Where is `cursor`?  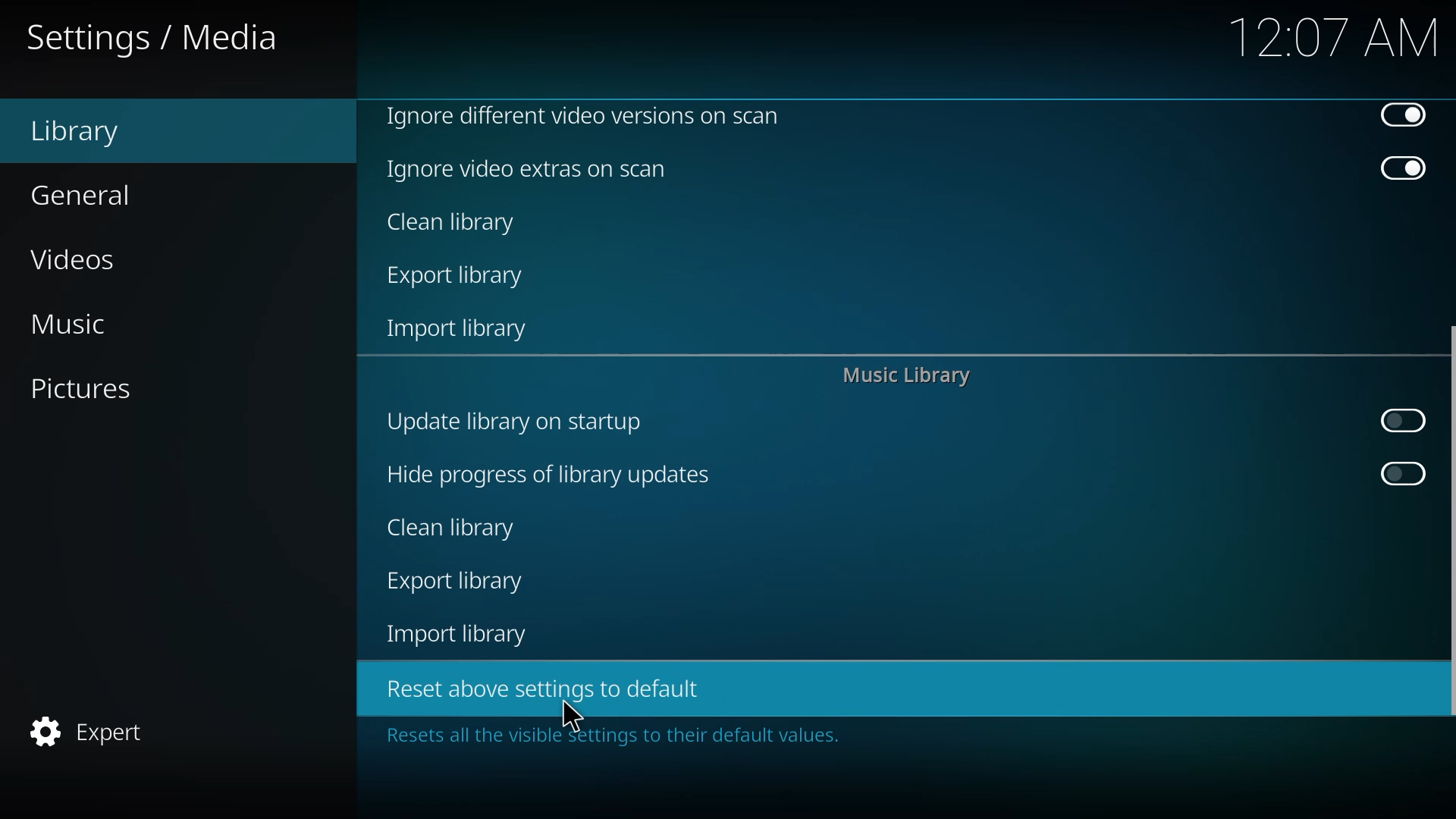 cursor is located at coordinates (573, 716).